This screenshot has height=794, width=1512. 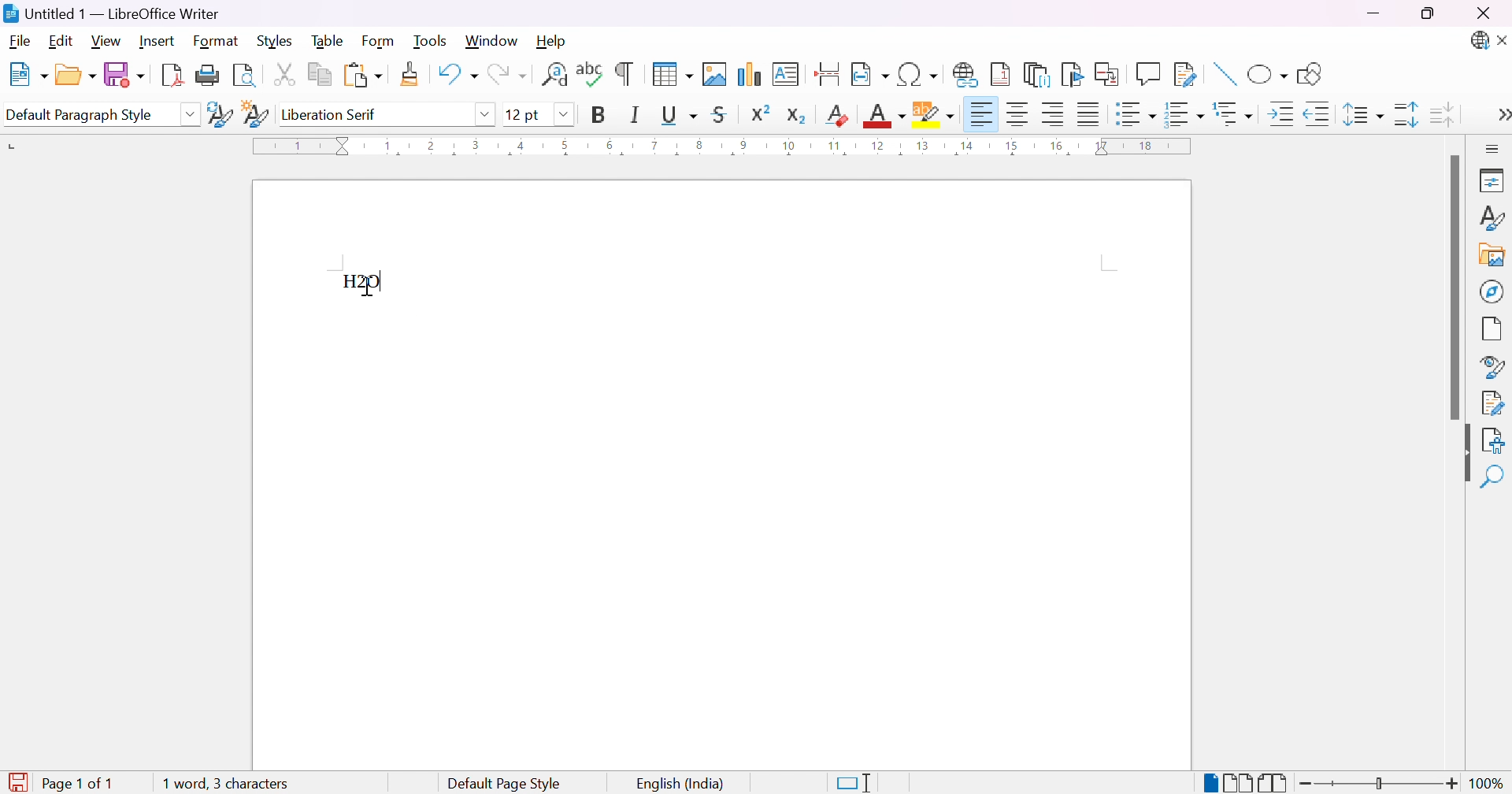 I want to click on Save, so click(x=122, y=73).